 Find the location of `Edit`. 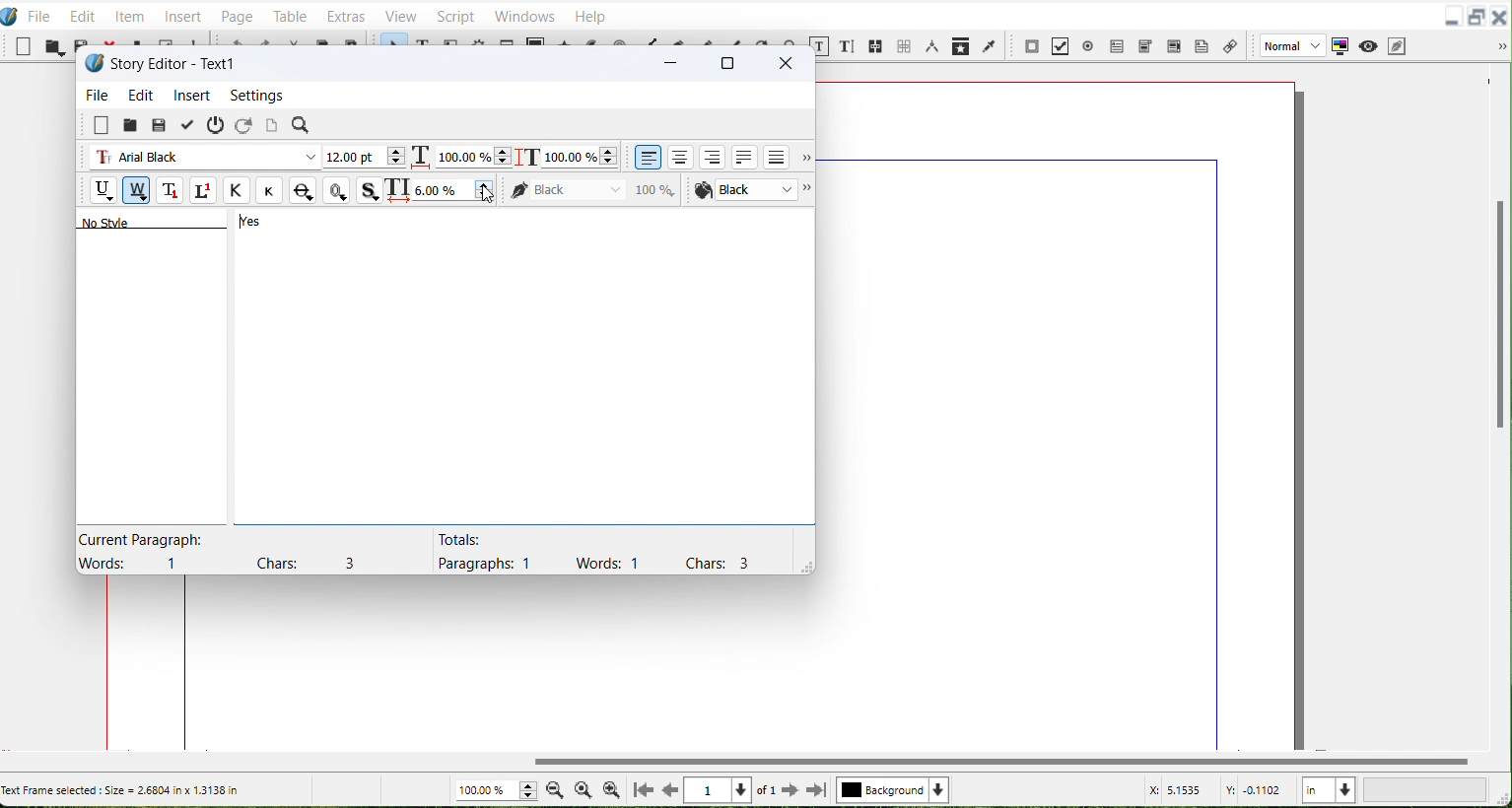

Edit is located at coordinates (82, 14).